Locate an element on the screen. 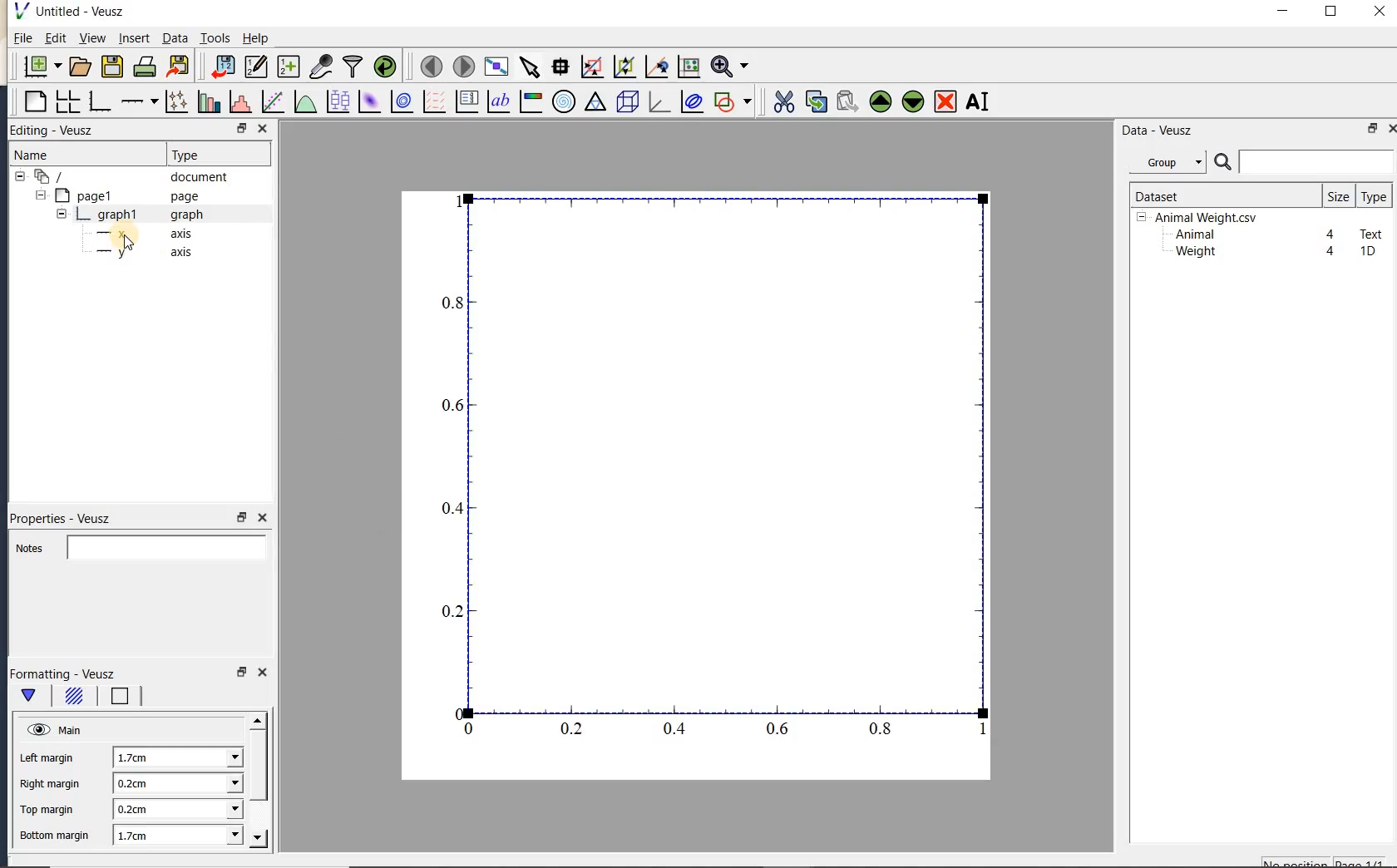 The width and height of the screenshot is (1397, 868). type is located at coordinates (1373, 196).